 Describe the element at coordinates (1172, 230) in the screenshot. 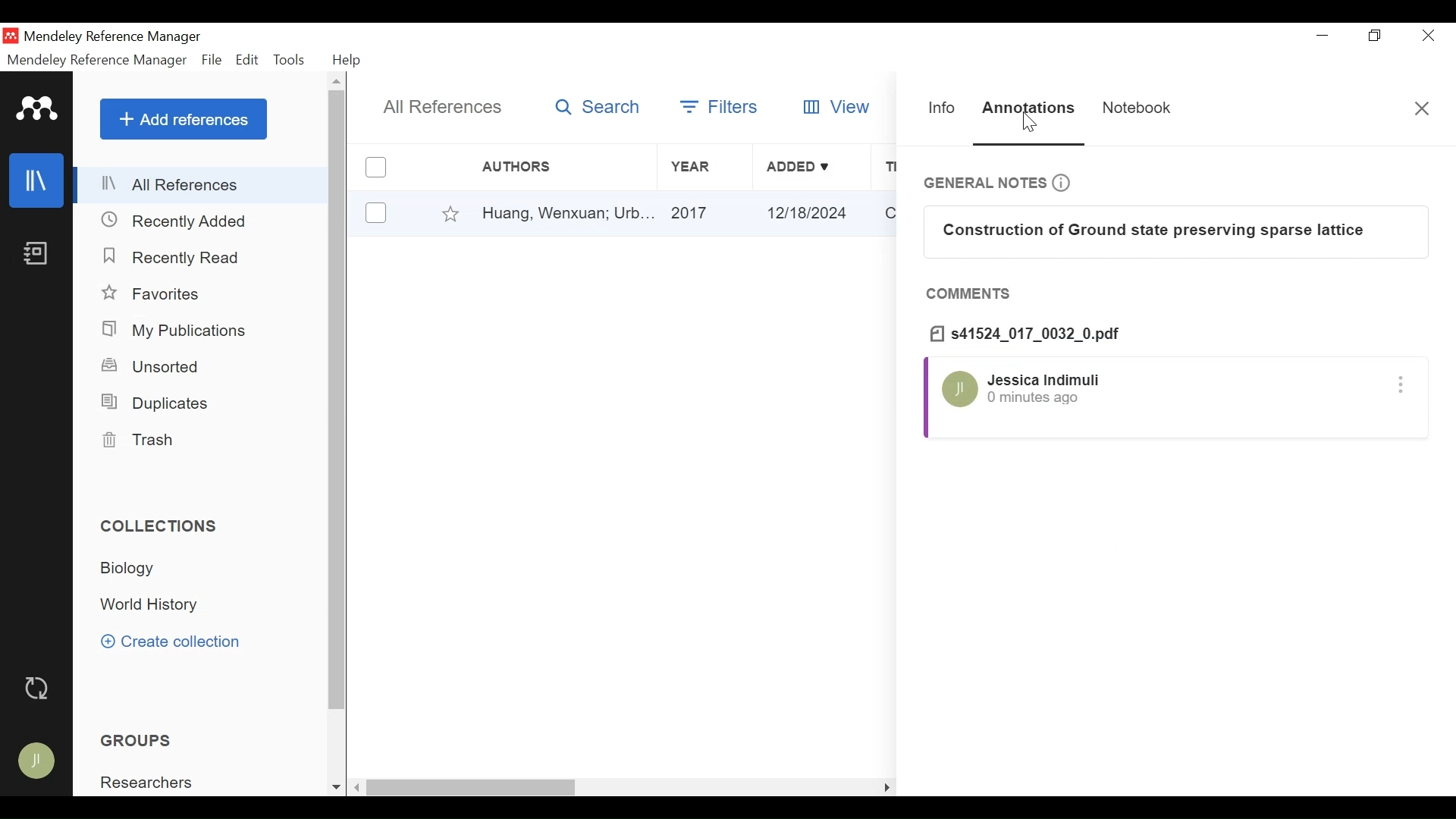

I see `Construction of ground state preserving sparse lattice ` at that location.